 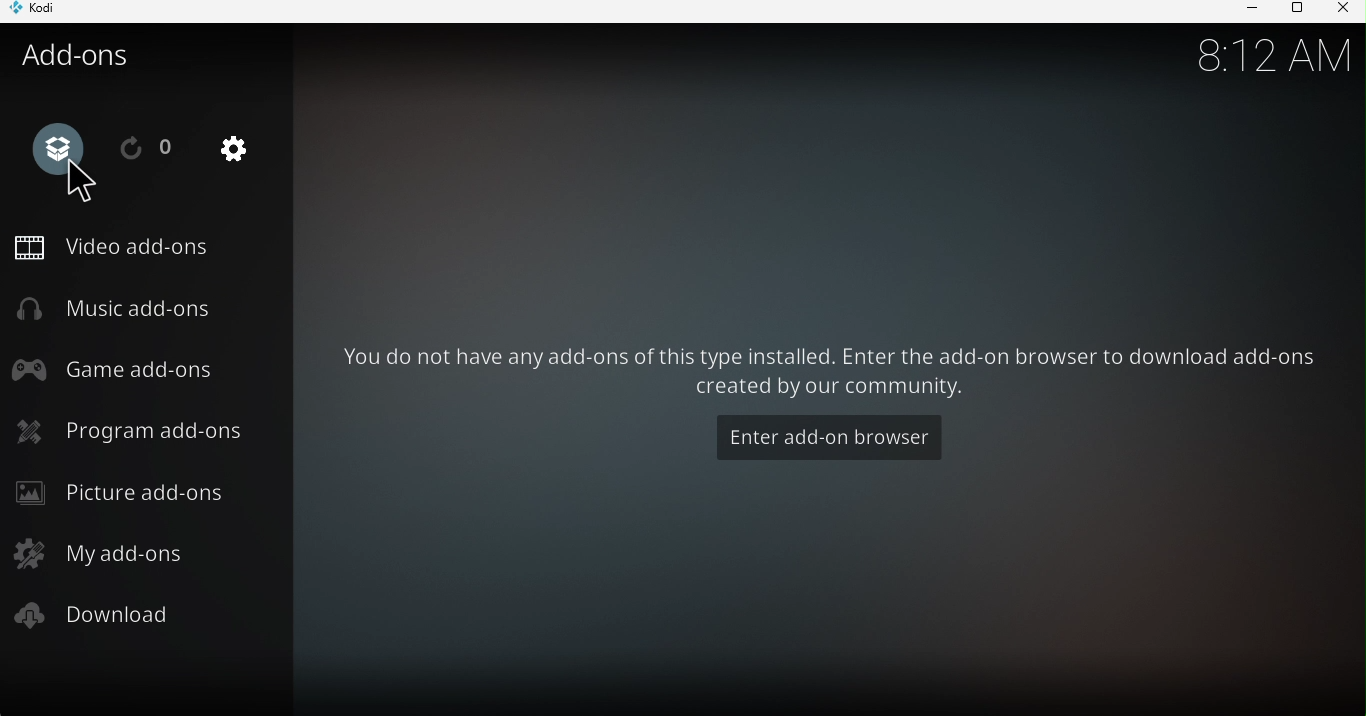 What do you see at coordinates (98, 552) in the screenshot?
I see `My add-ons` at bounding box center [98, 552].